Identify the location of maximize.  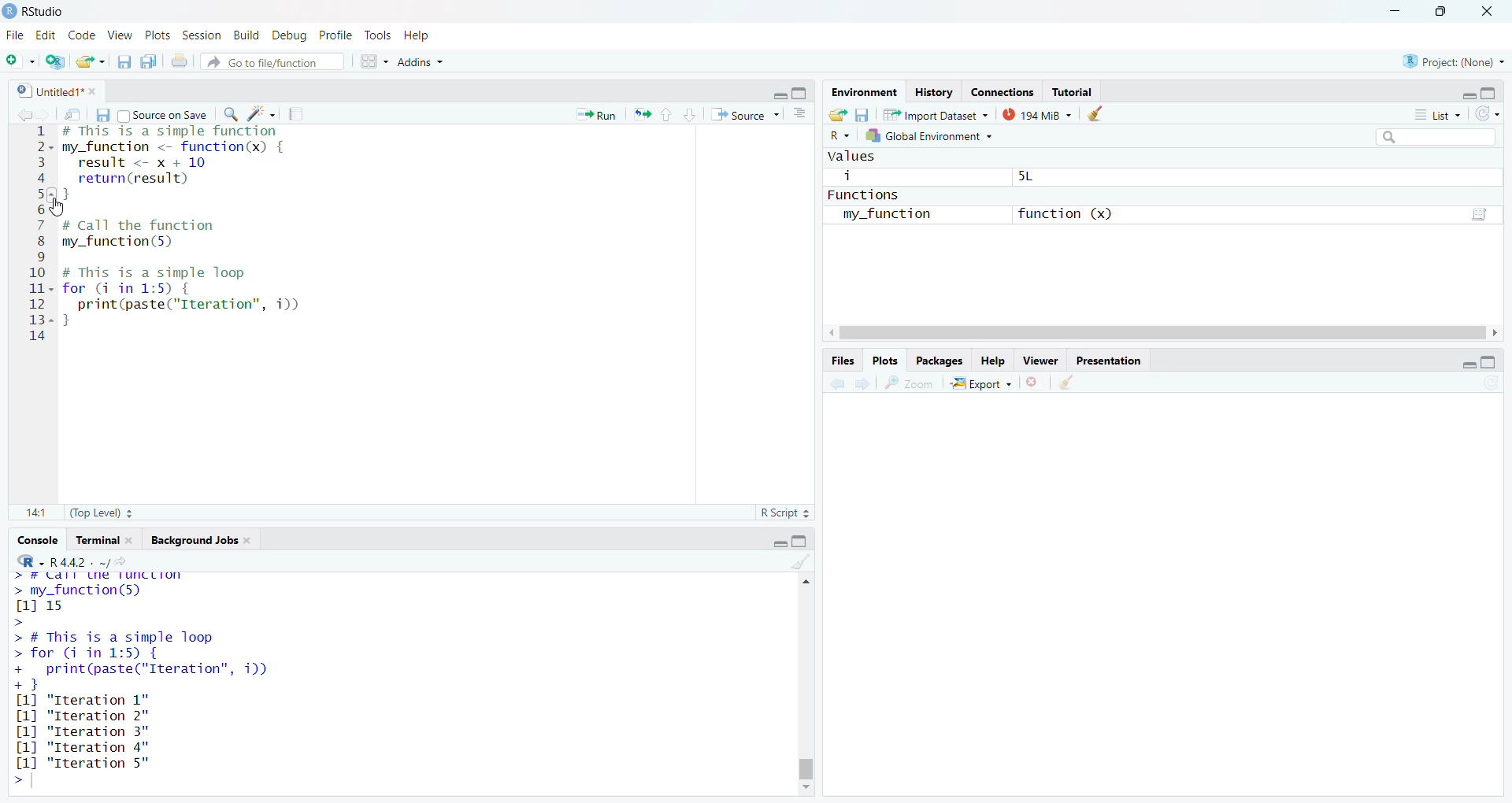
(1441, 10).